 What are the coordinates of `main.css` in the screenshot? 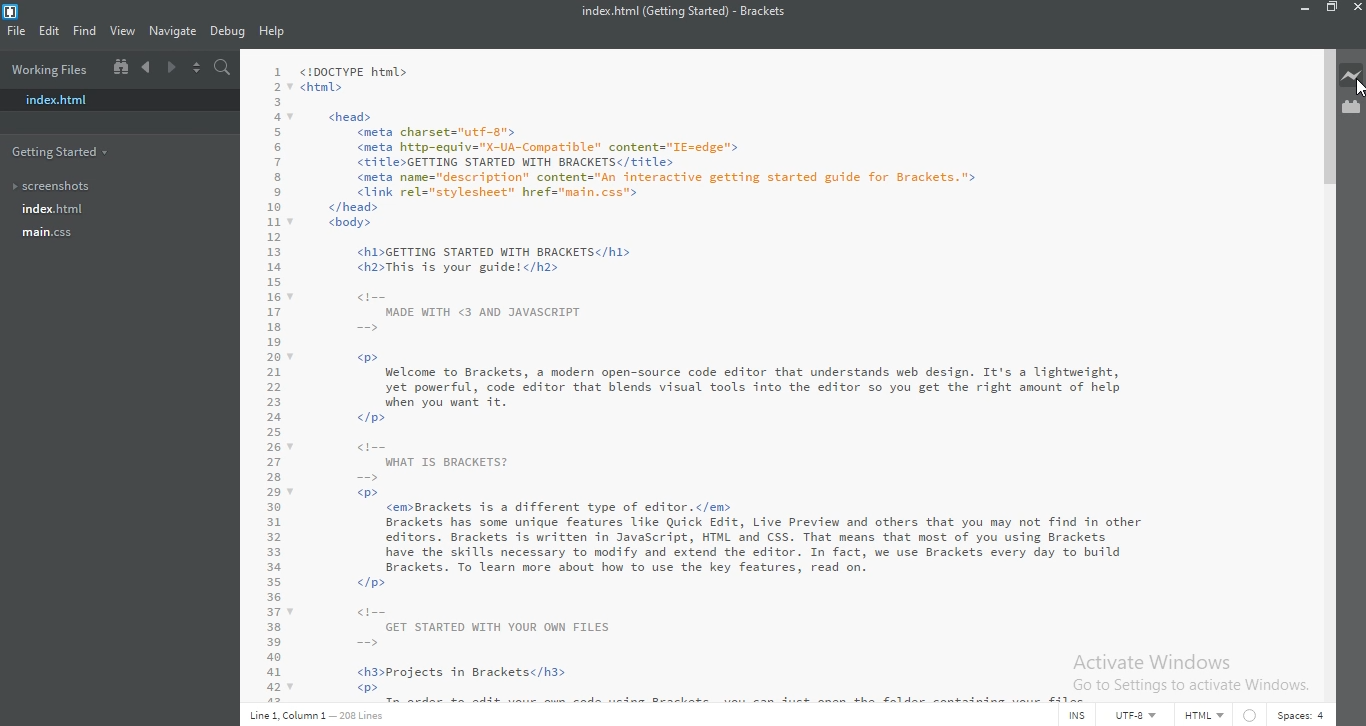 It's located at (46, 233).